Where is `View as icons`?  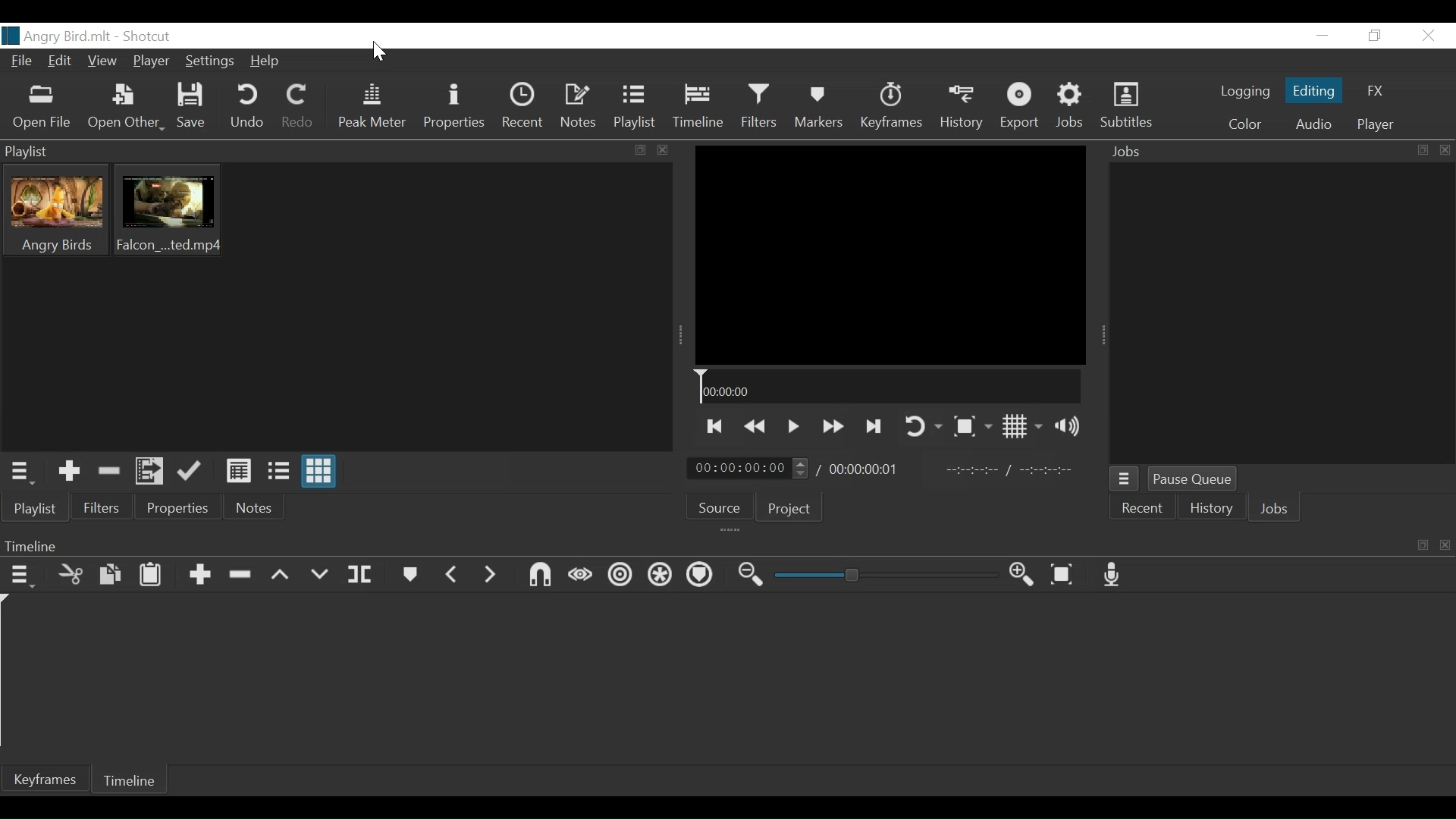
View as icons is located at coordinates (322, 472).